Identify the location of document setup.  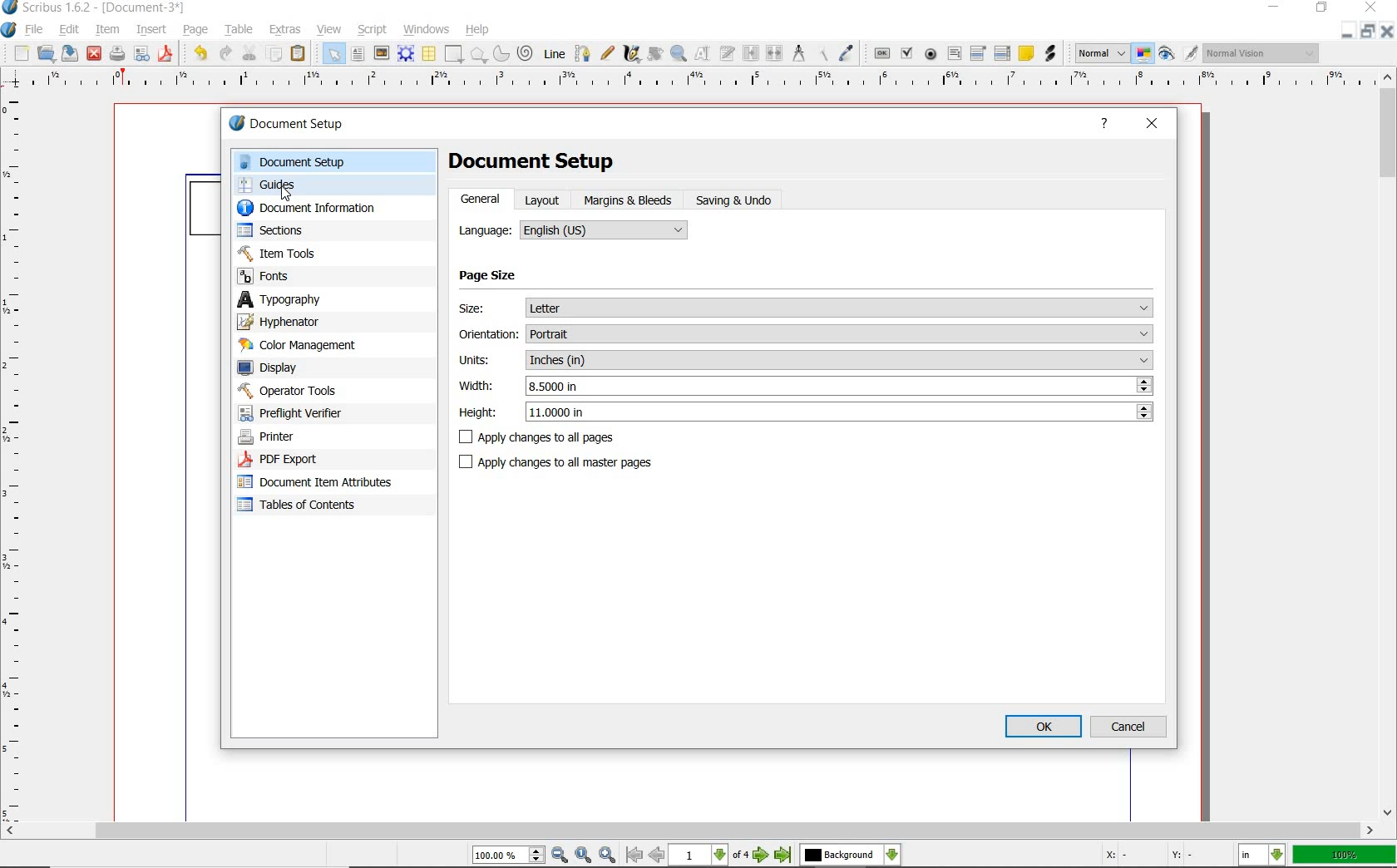
(305, 126).